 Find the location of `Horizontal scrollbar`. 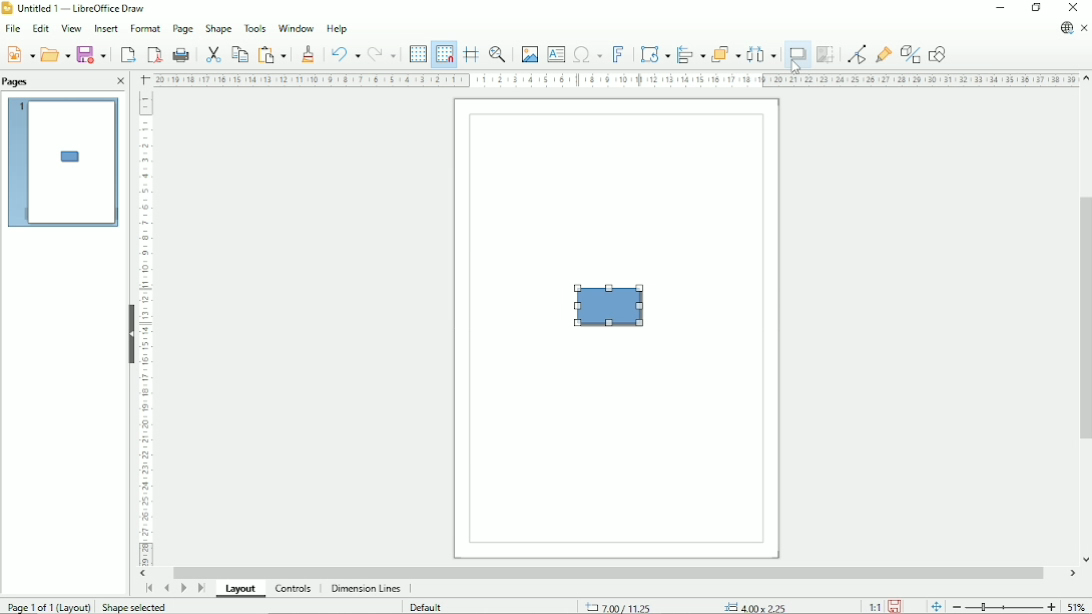

Horizontal scrollbar is located at coordinates (611, 572).